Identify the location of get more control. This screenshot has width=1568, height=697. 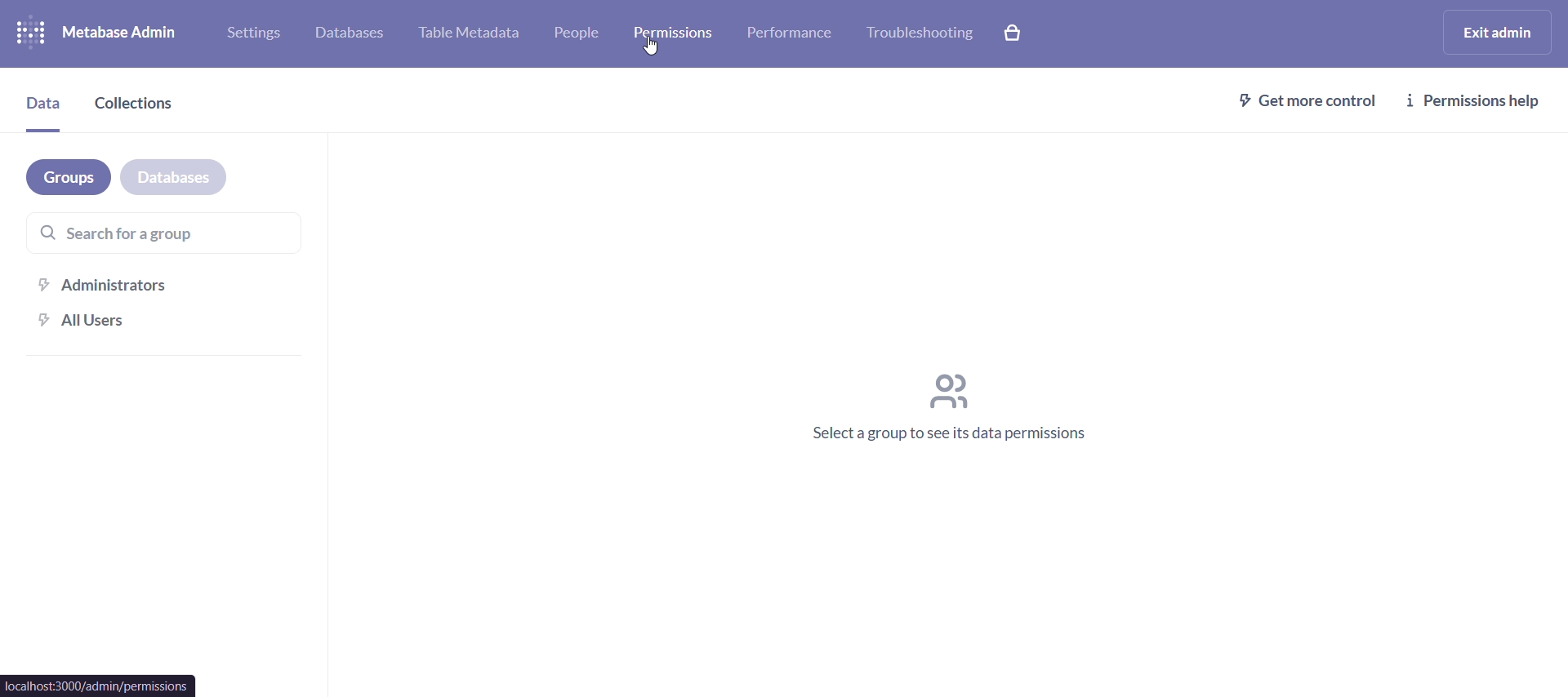
(1305, 102).